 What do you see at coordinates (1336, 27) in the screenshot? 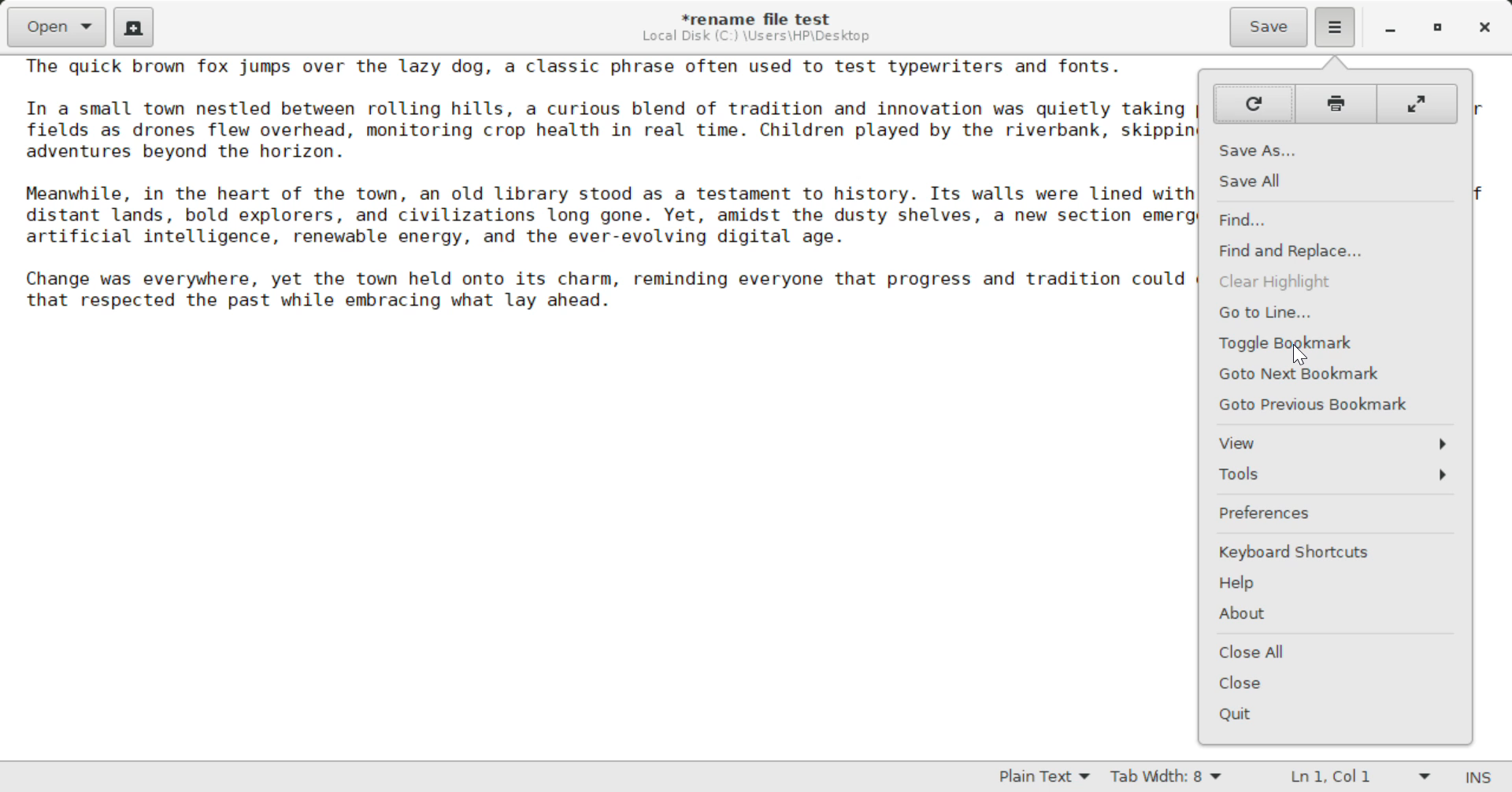
I see `Menu Selected` at bounding box center [1336, 27].